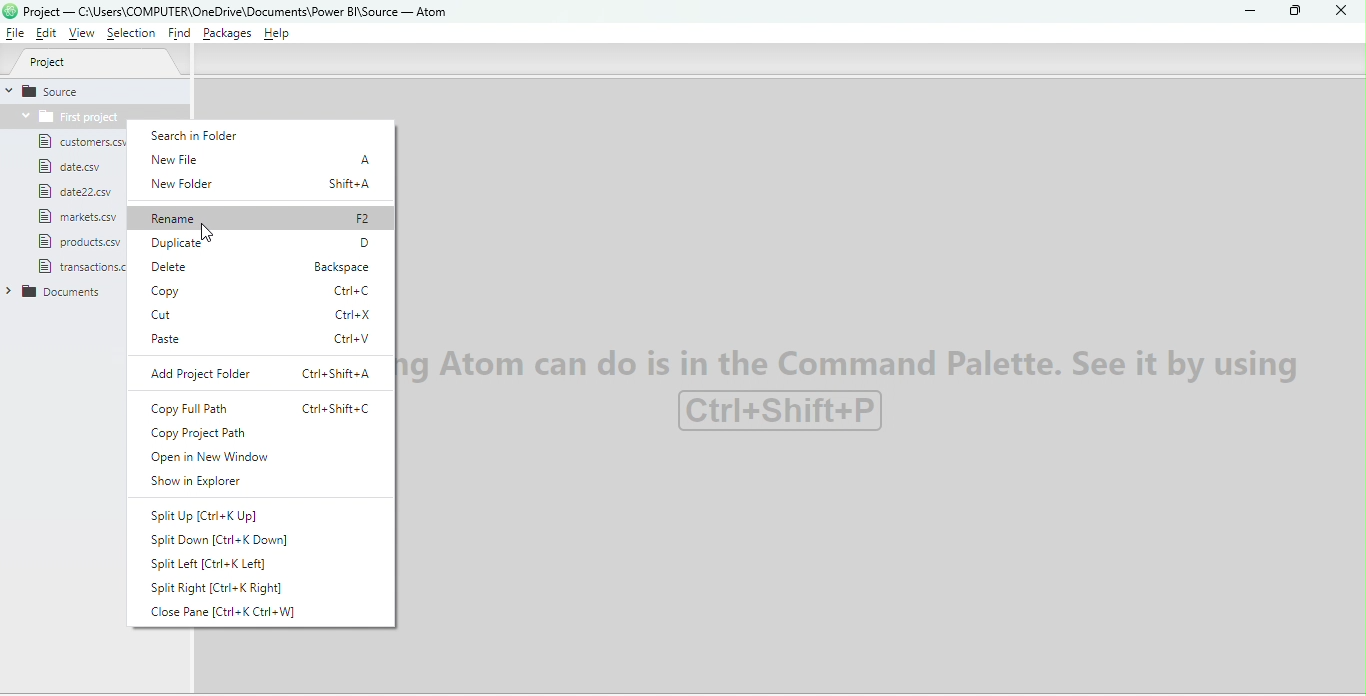 The width and height of the screenshot is (1366, 696). I want to click on File, so click(79, 167).